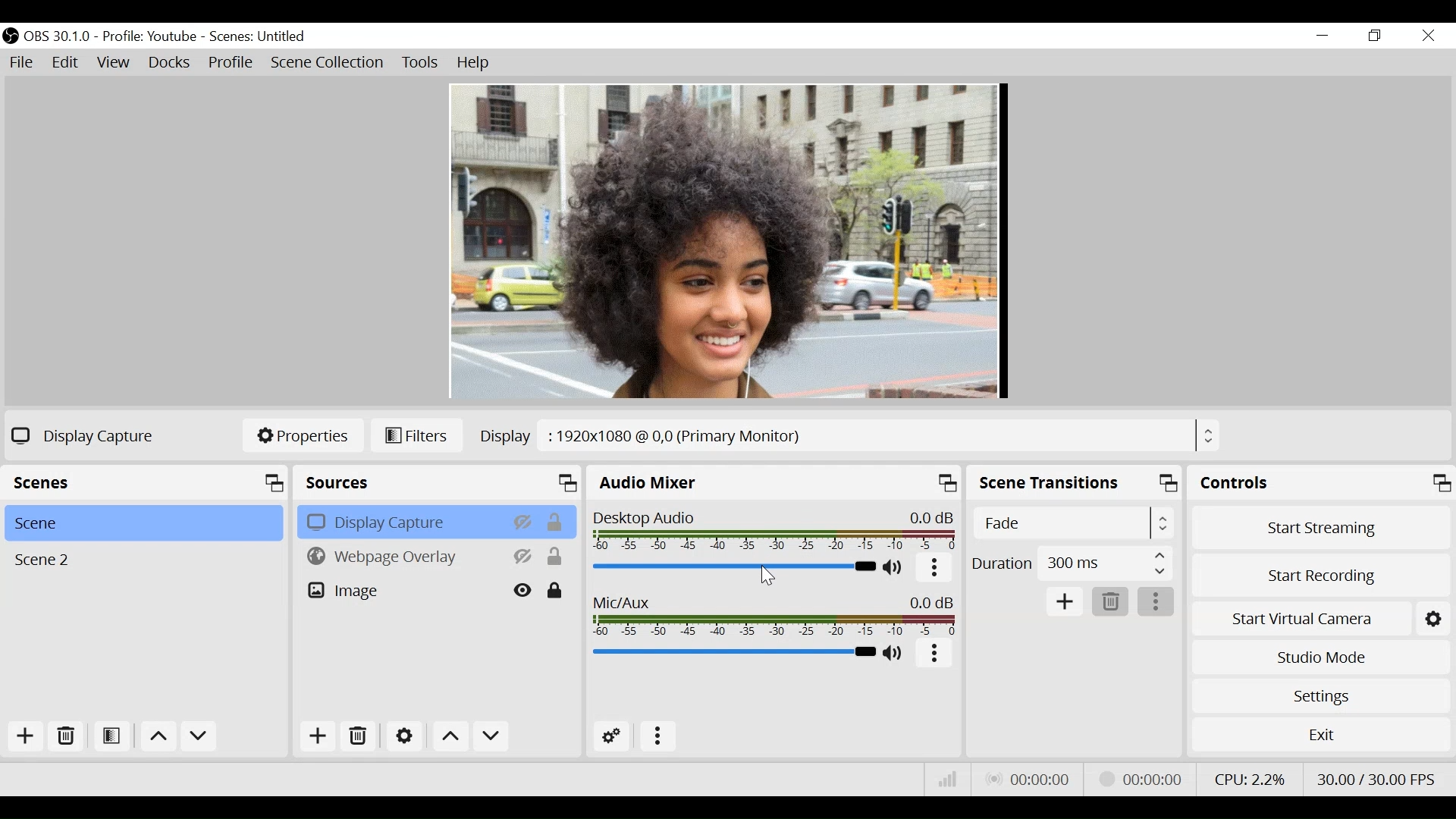 The height and width of the screenshot is (819, 1456). What do you see at coordinates (436, 483) in the screenshot?
I see `Source` at bounding box center [436, 483].